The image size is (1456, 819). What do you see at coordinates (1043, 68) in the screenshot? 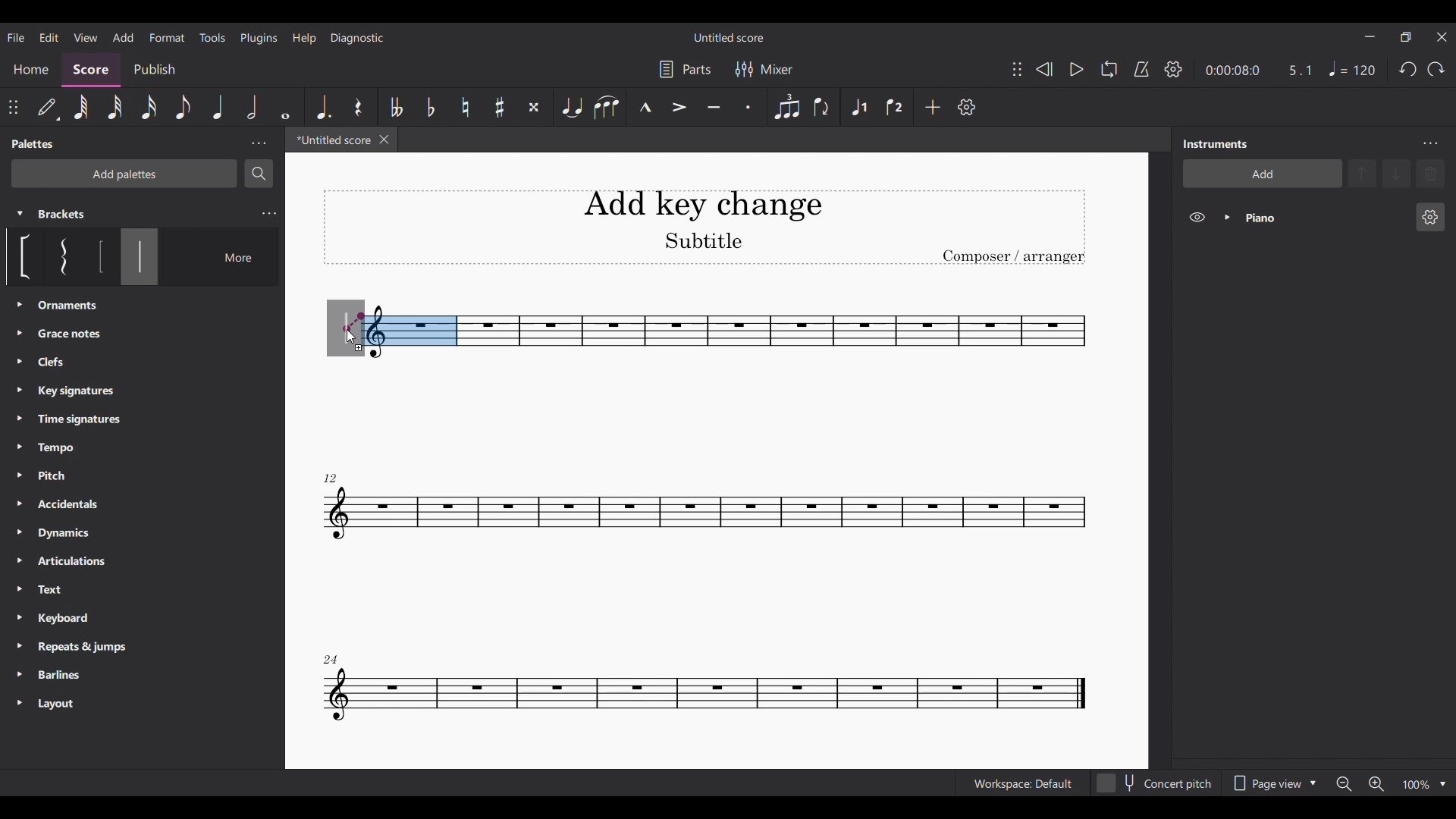
I see `Rewind` at bounding box center [1043, 68].